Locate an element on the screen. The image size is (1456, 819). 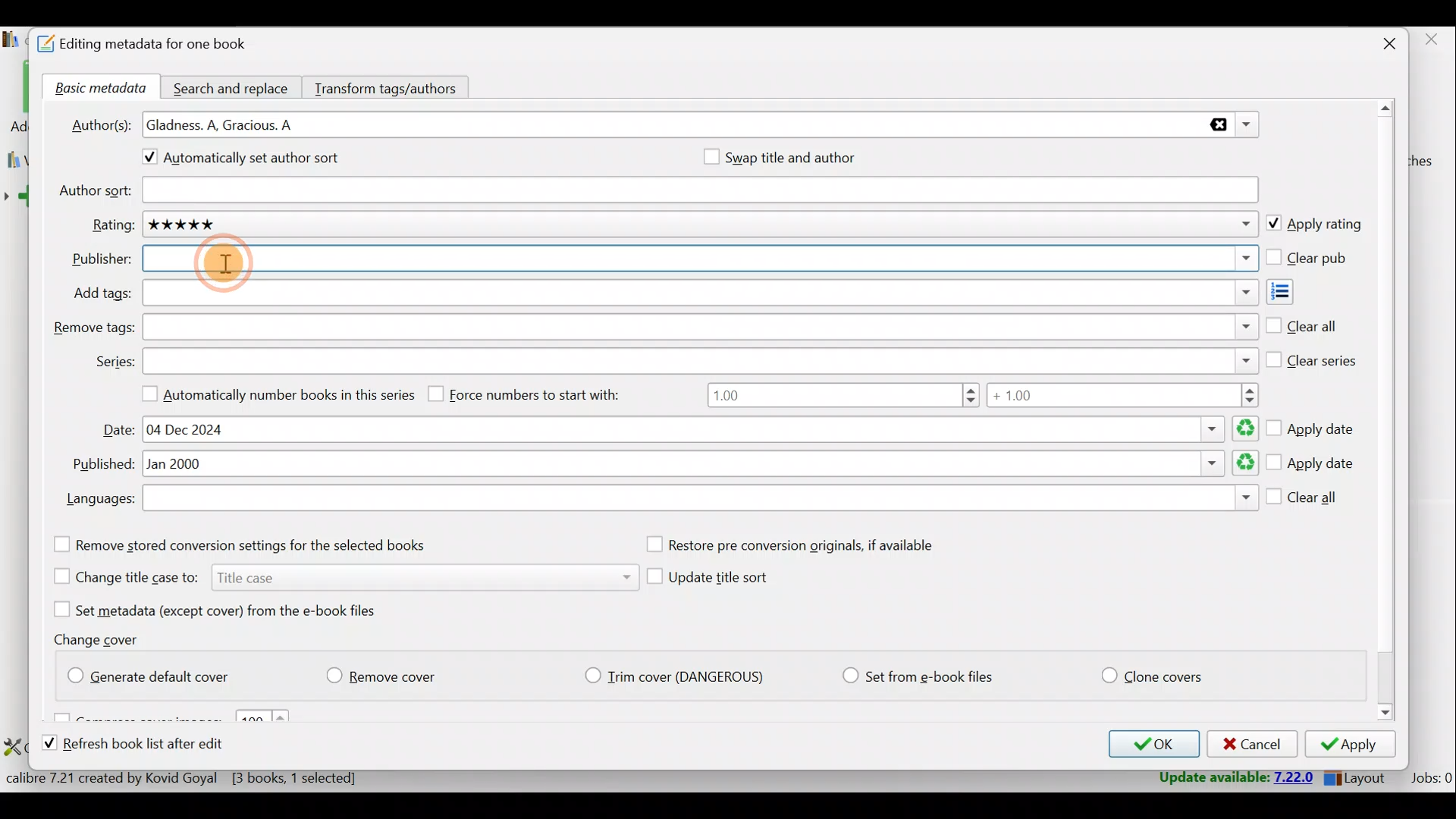
Search and replace is located at coordinates (233, 86).